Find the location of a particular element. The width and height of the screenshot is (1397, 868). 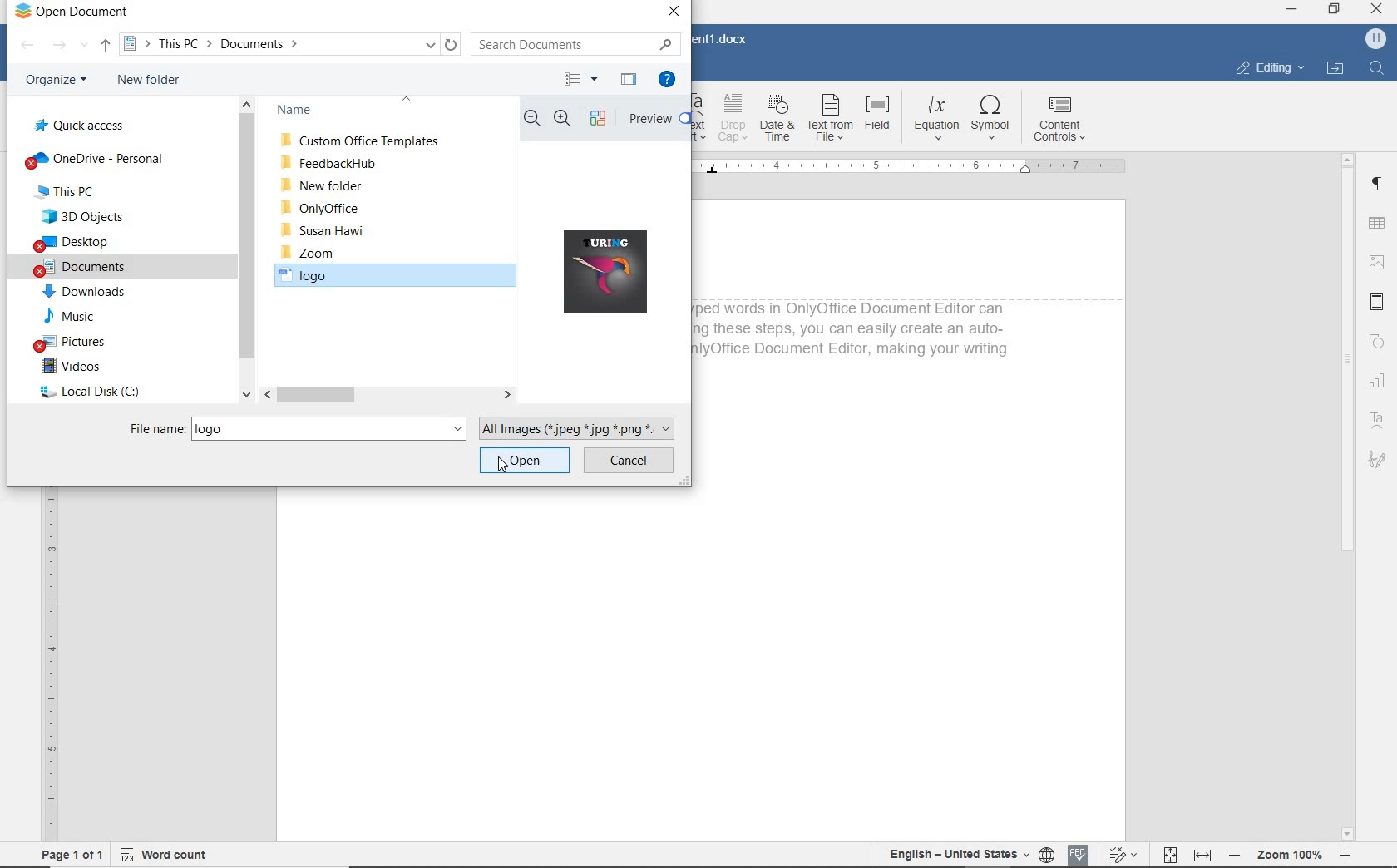

ZOOM OUT is located at coordinates (532, 121).